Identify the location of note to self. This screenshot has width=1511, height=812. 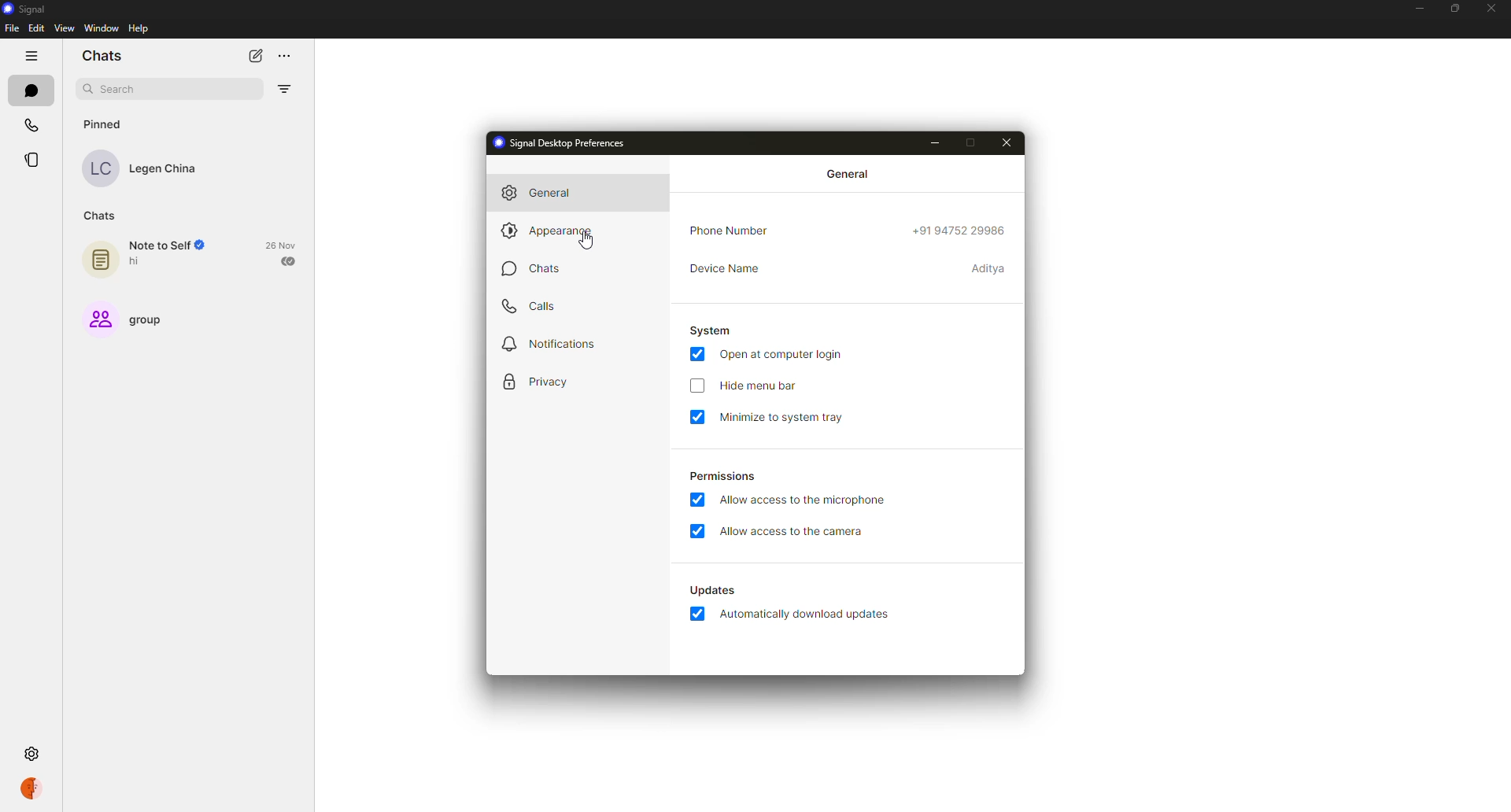
(150, 255).